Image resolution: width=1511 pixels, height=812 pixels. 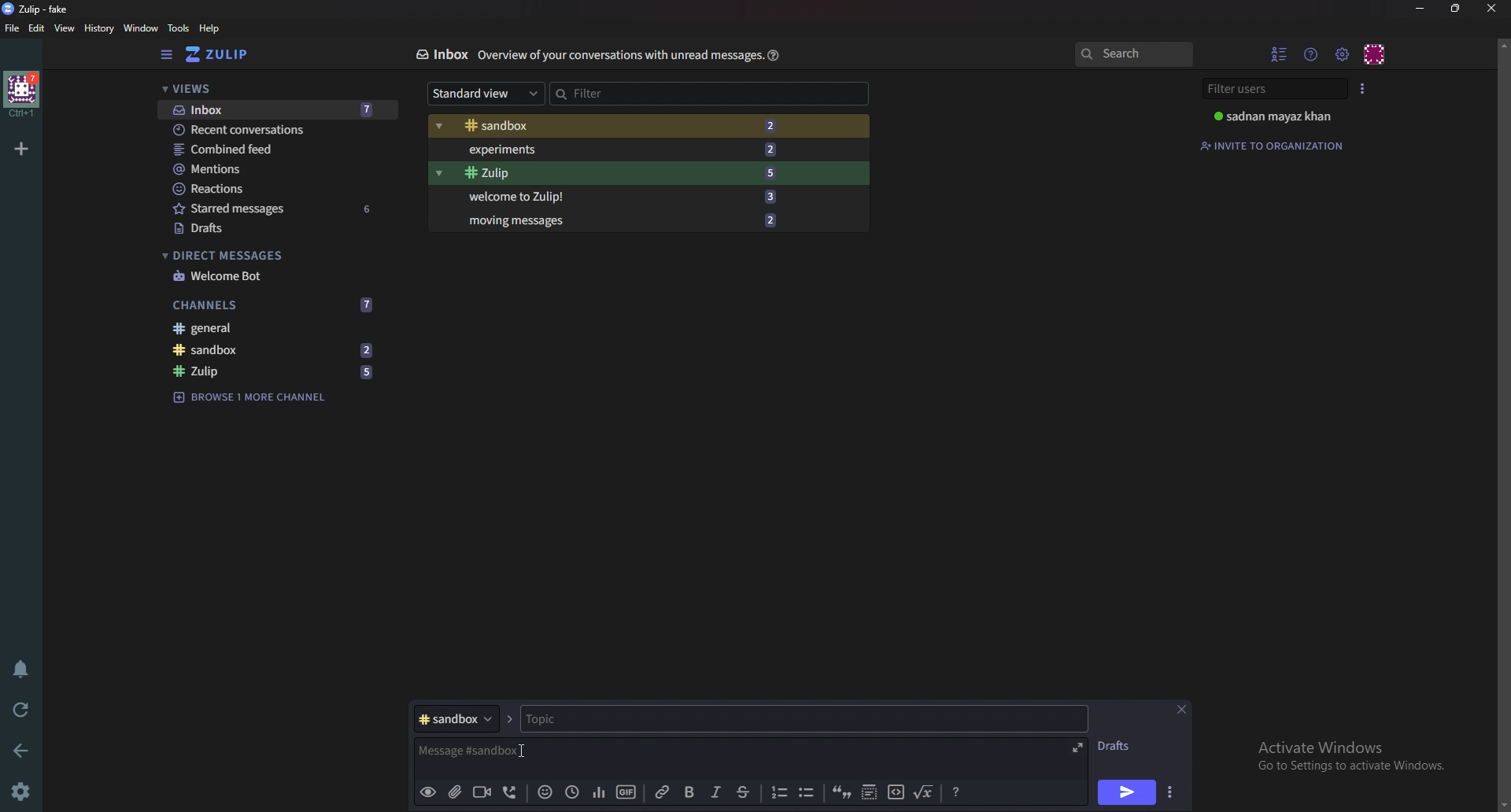 What do you see at coordinates (209, 29) in the screenshot?
I see `help` at bounding box center [209, 29].